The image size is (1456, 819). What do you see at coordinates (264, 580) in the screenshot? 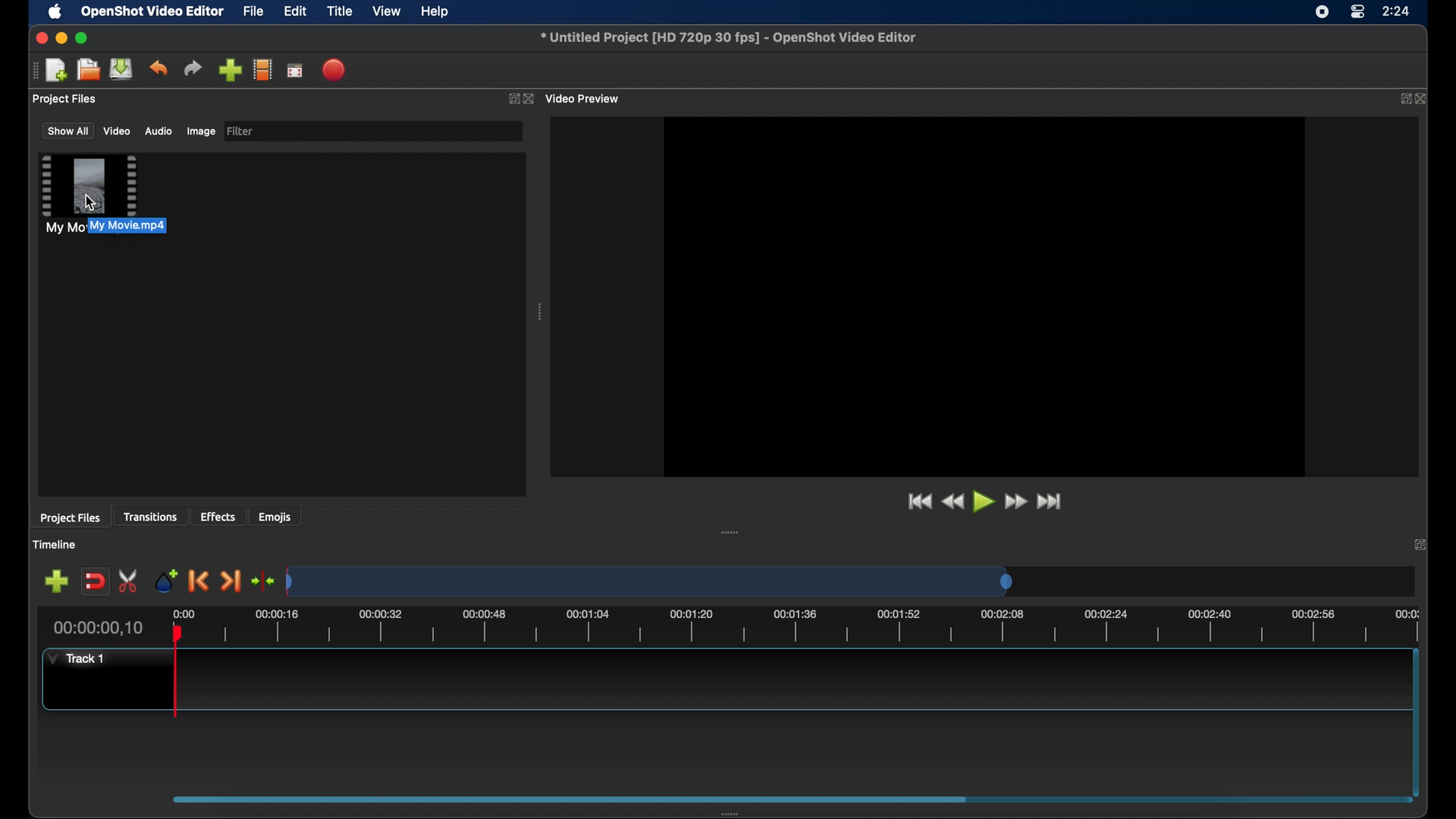
I see `center playhead on the timeline` at bounding box center [264, 580].